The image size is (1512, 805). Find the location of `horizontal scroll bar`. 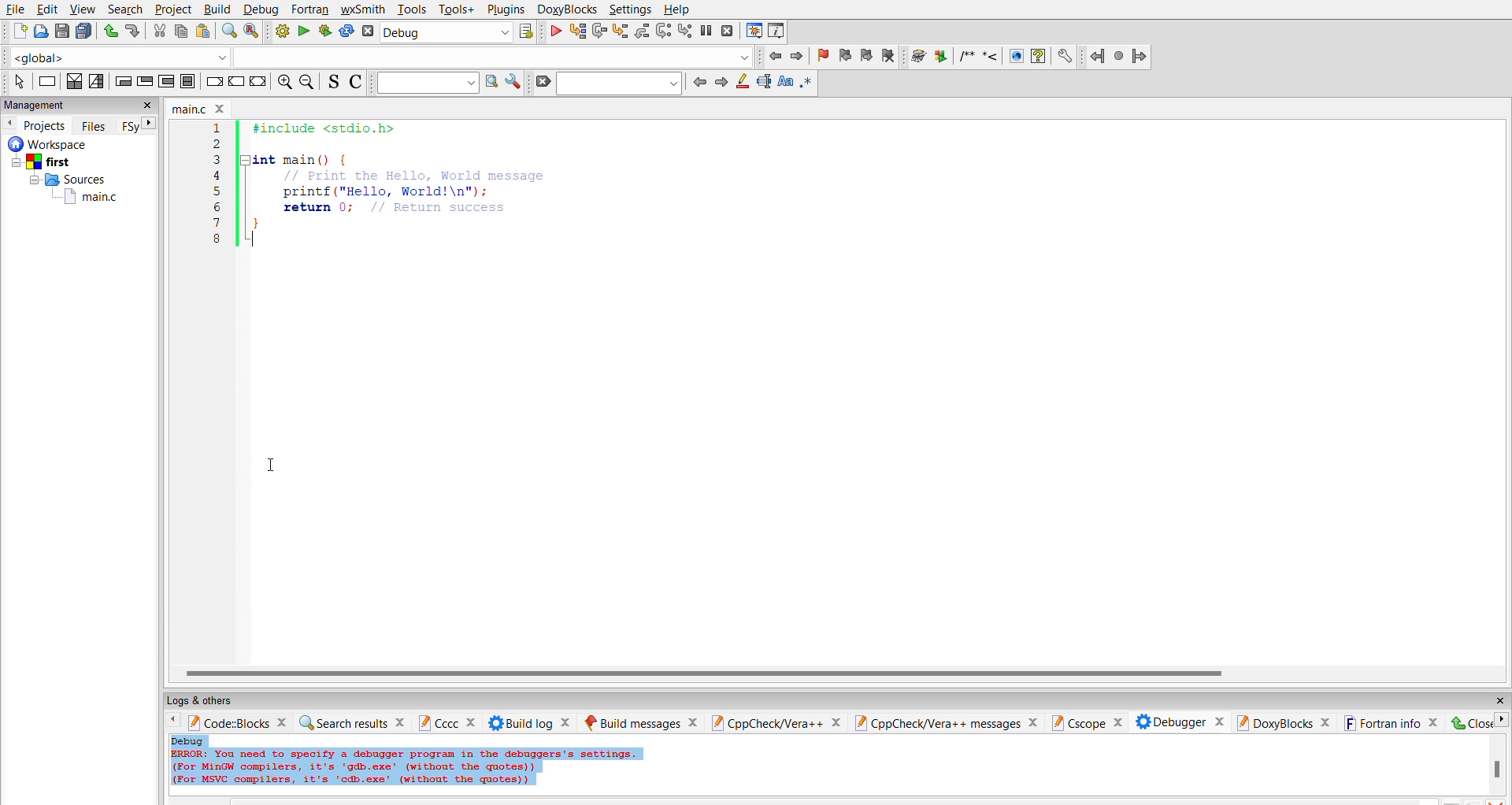

horizontal scroll bar is located at coordinates (694, 678).